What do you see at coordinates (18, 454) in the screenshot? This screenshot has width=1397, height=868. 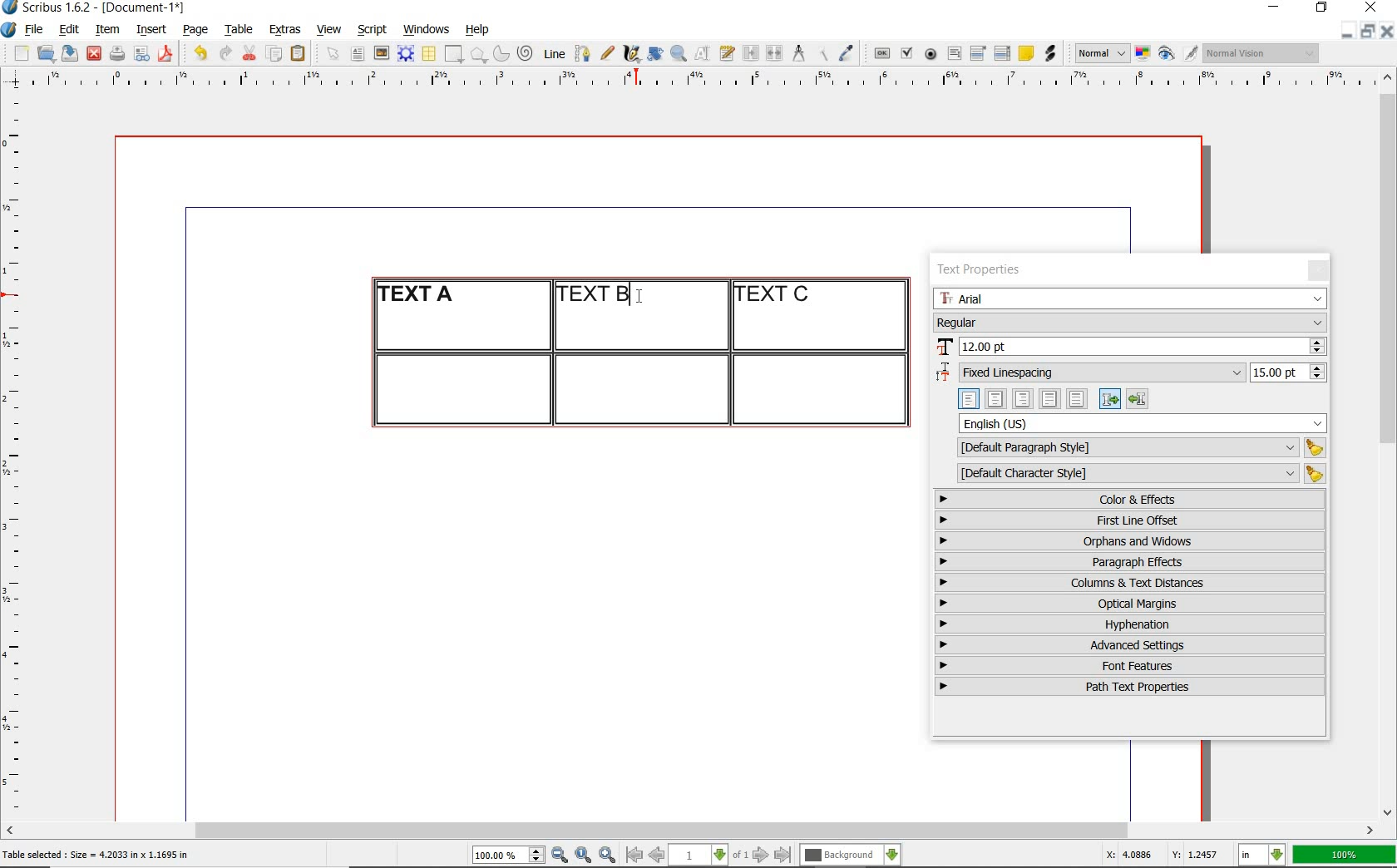 I see `ruler` at bounding box center [18, 454].